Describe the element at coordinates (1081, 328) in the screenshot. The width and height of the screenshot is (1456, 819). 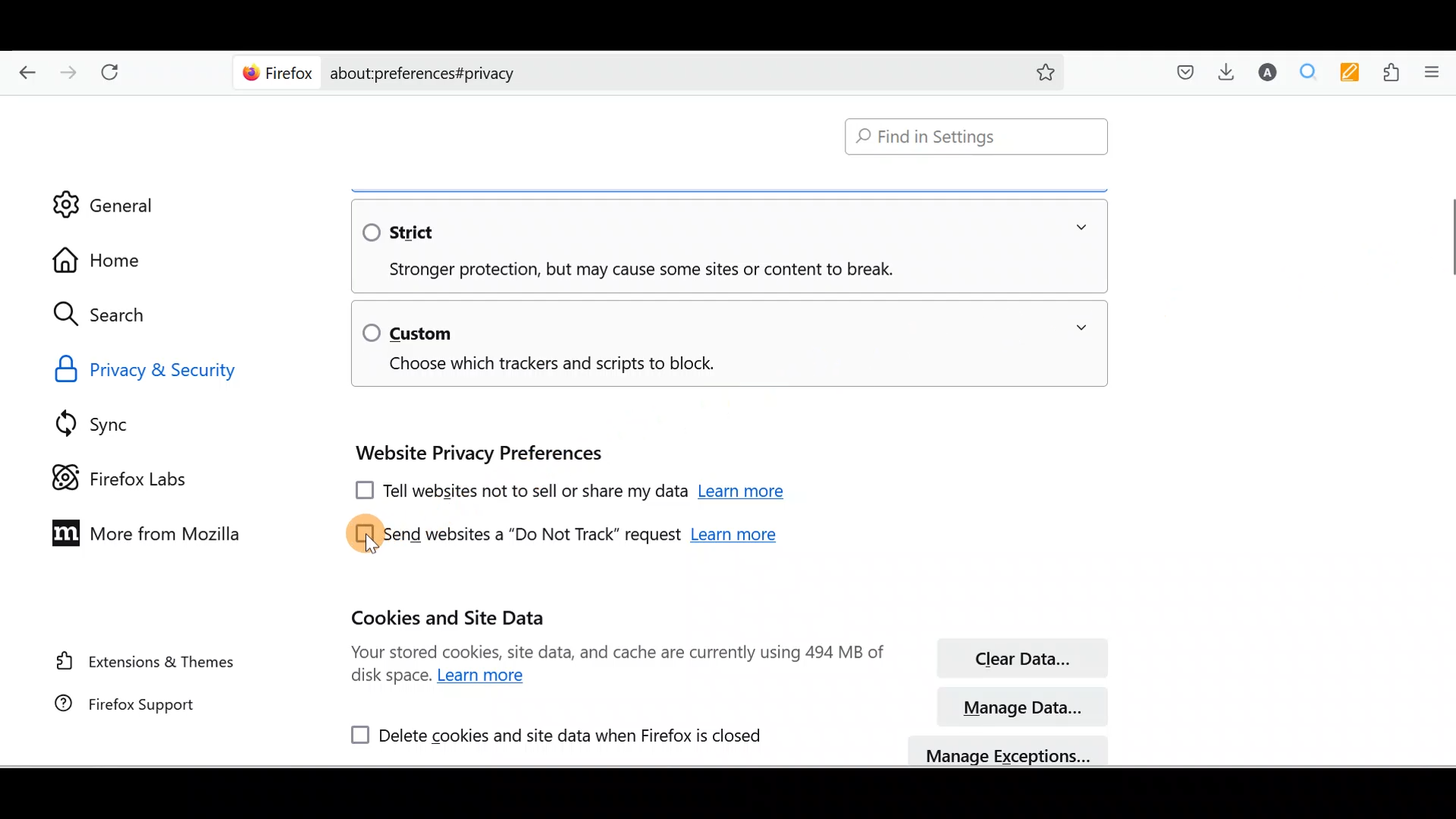
I see `expand` at that location.